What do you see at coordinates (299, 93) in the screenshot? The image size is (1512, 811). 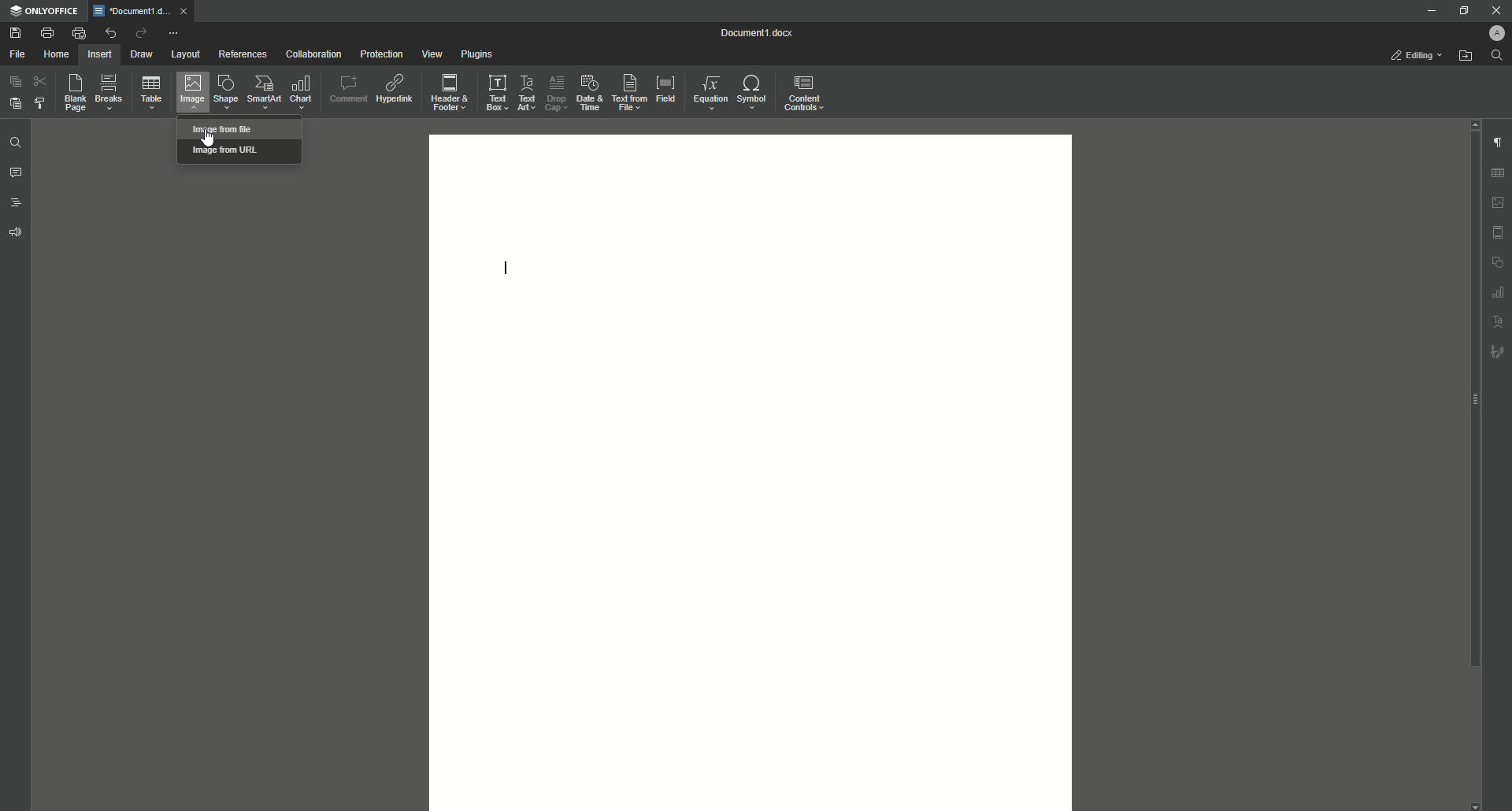 I see `Chart` at bounding box center [299, 93].